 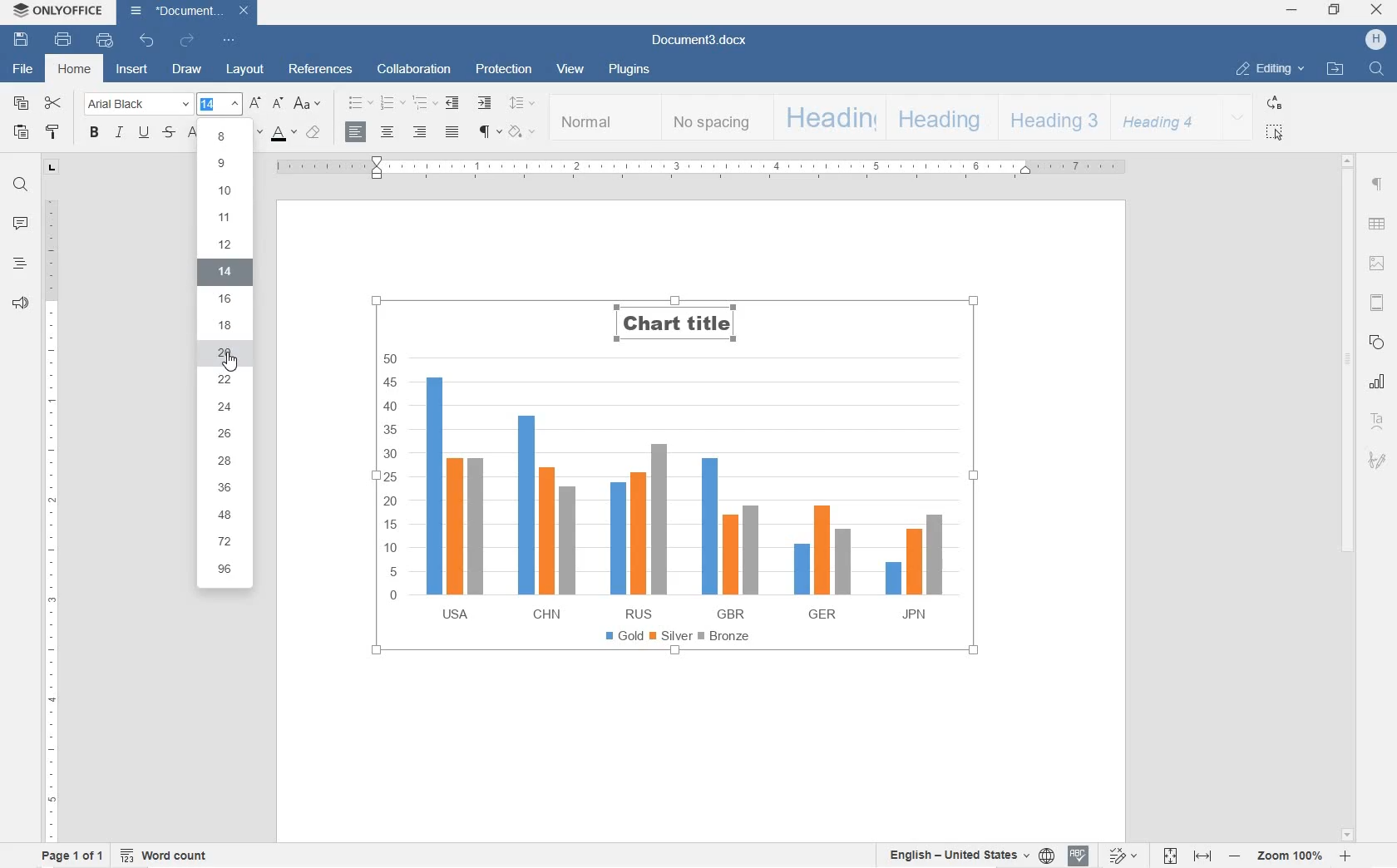 What do you see at coordinates (967, 855) in the screenshot?
I see `SET TEXT OR DOCUMENT LANGUAGE` at bounding box center [967, 855].